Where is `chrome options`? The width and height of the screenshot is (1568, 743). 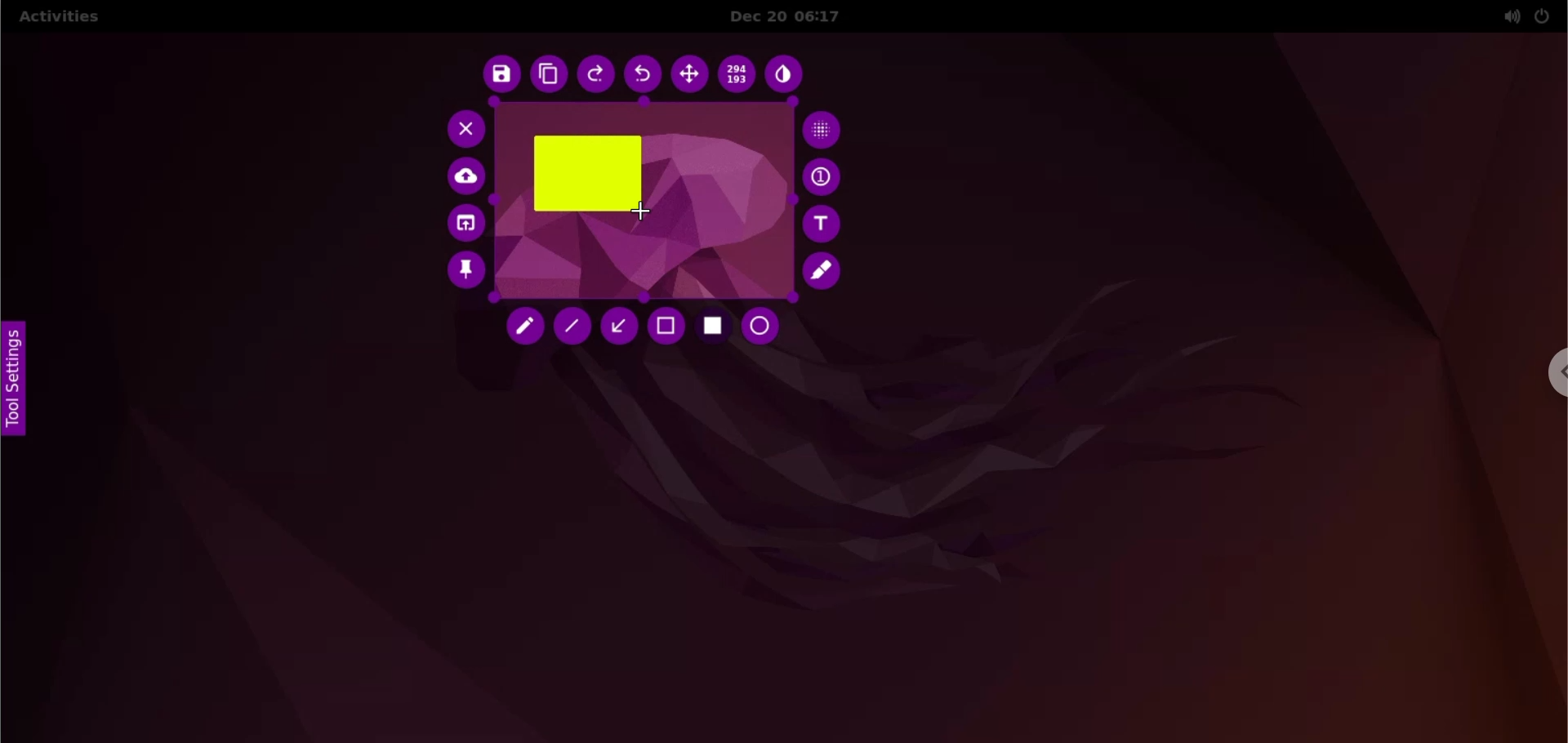
chrome options is located at coordinates (1554, 372).